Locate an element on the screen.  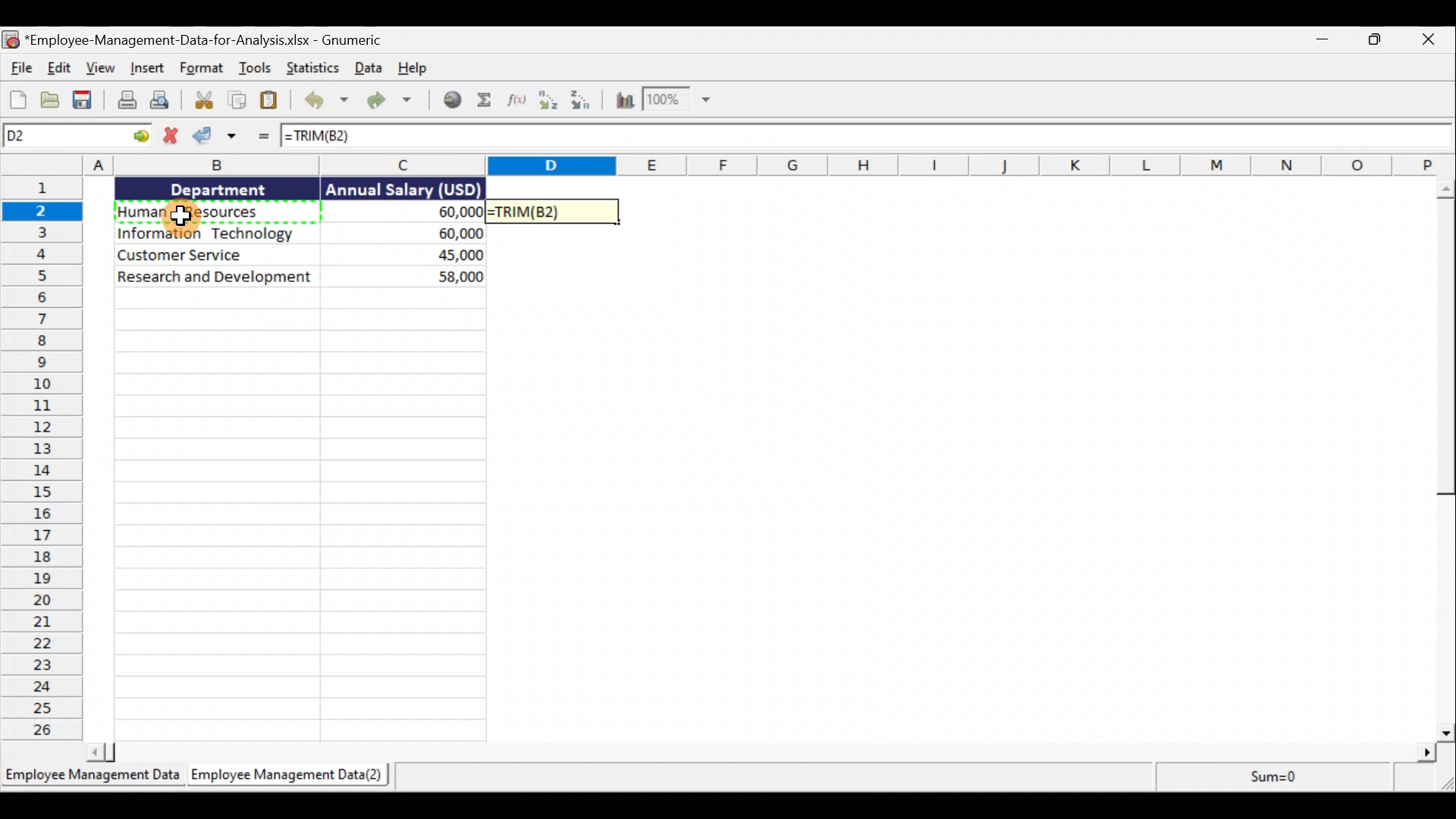
Columns is located at coordinates (926, 165).